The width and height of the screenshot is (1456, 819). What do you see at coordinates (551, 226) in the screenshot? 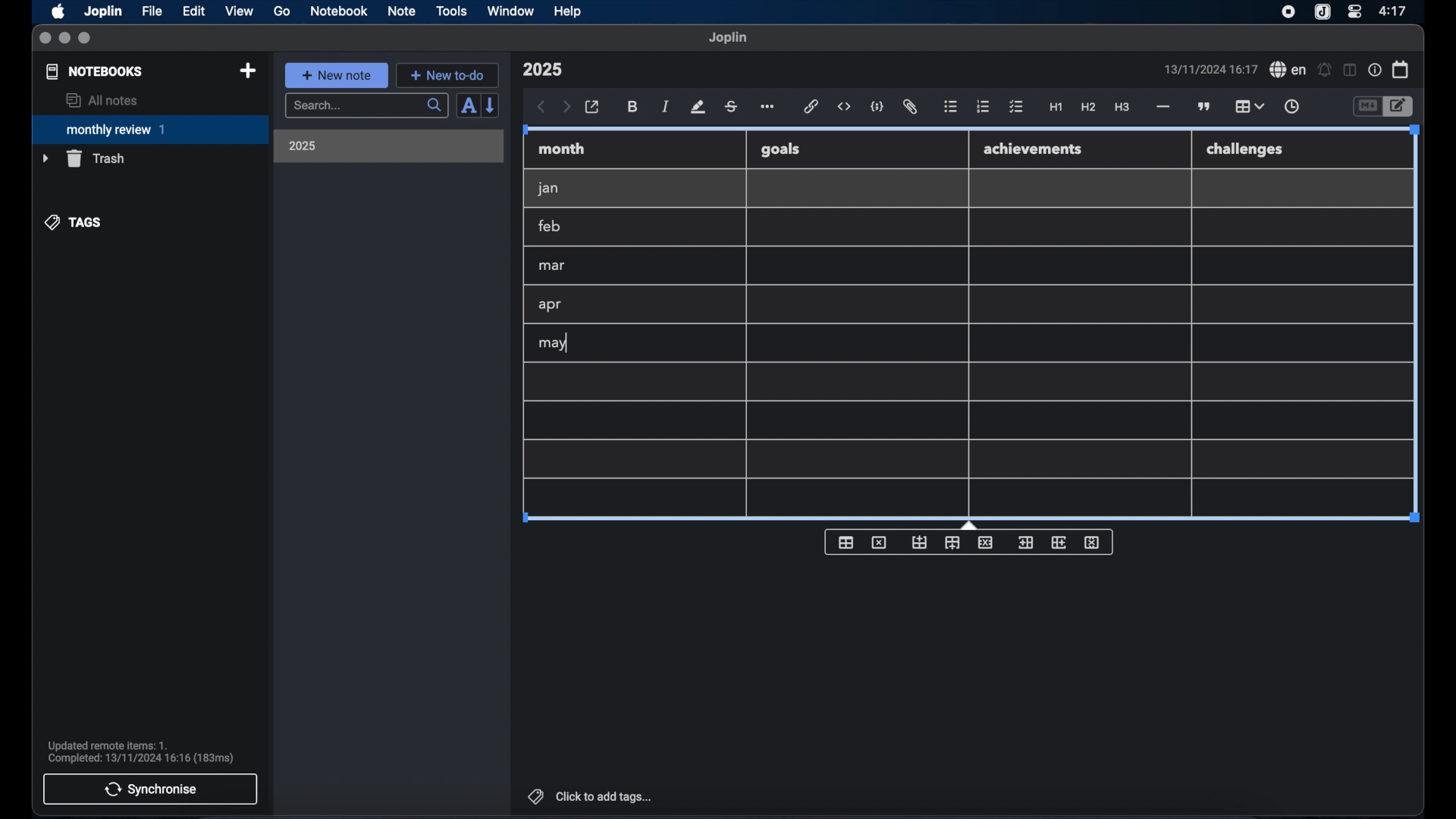
I see `feb` at bounding box center [551, 226].